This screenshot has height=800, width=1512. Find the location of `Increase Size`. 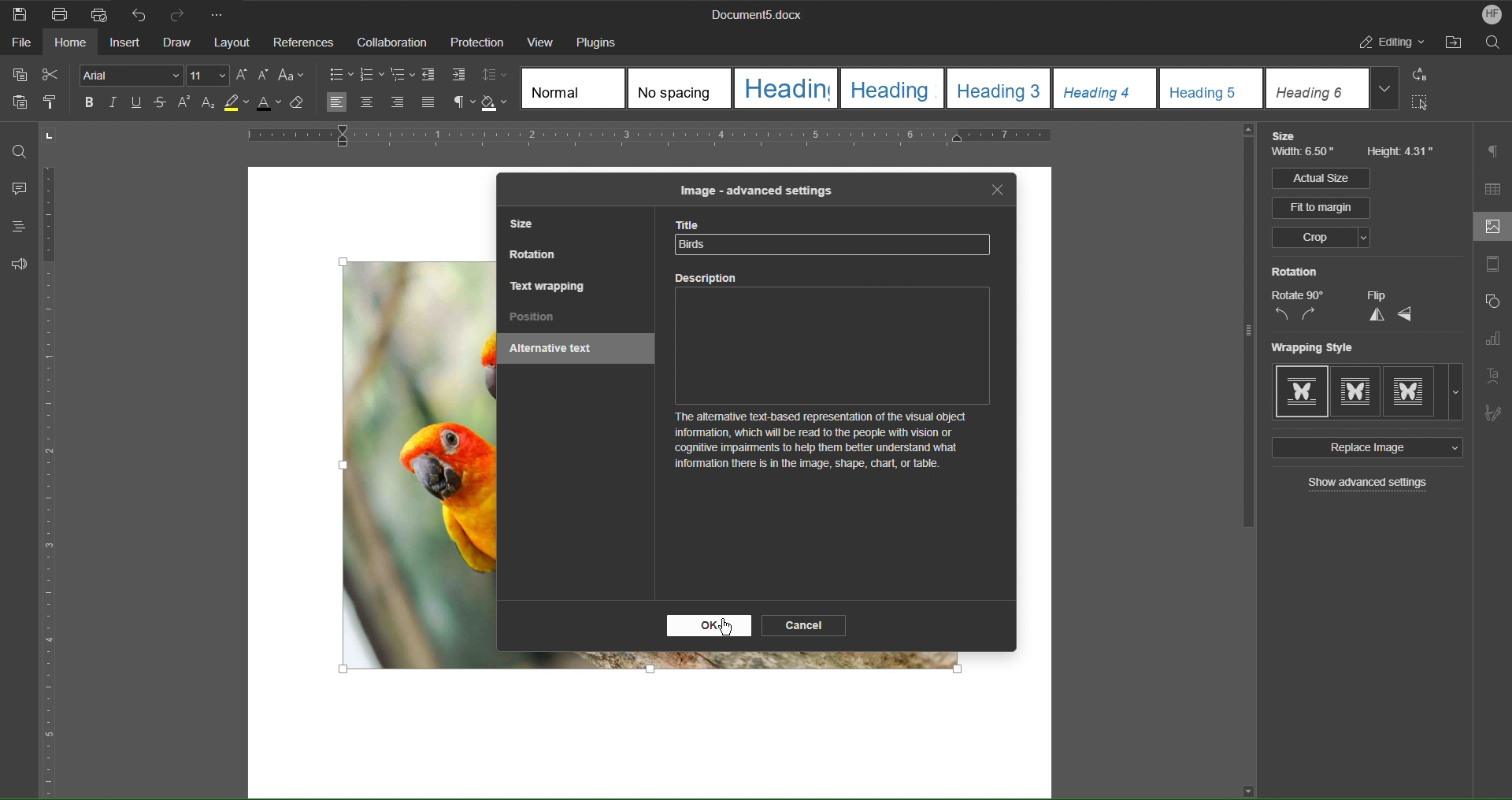

Increase Size is located at coordinates (244, 75).